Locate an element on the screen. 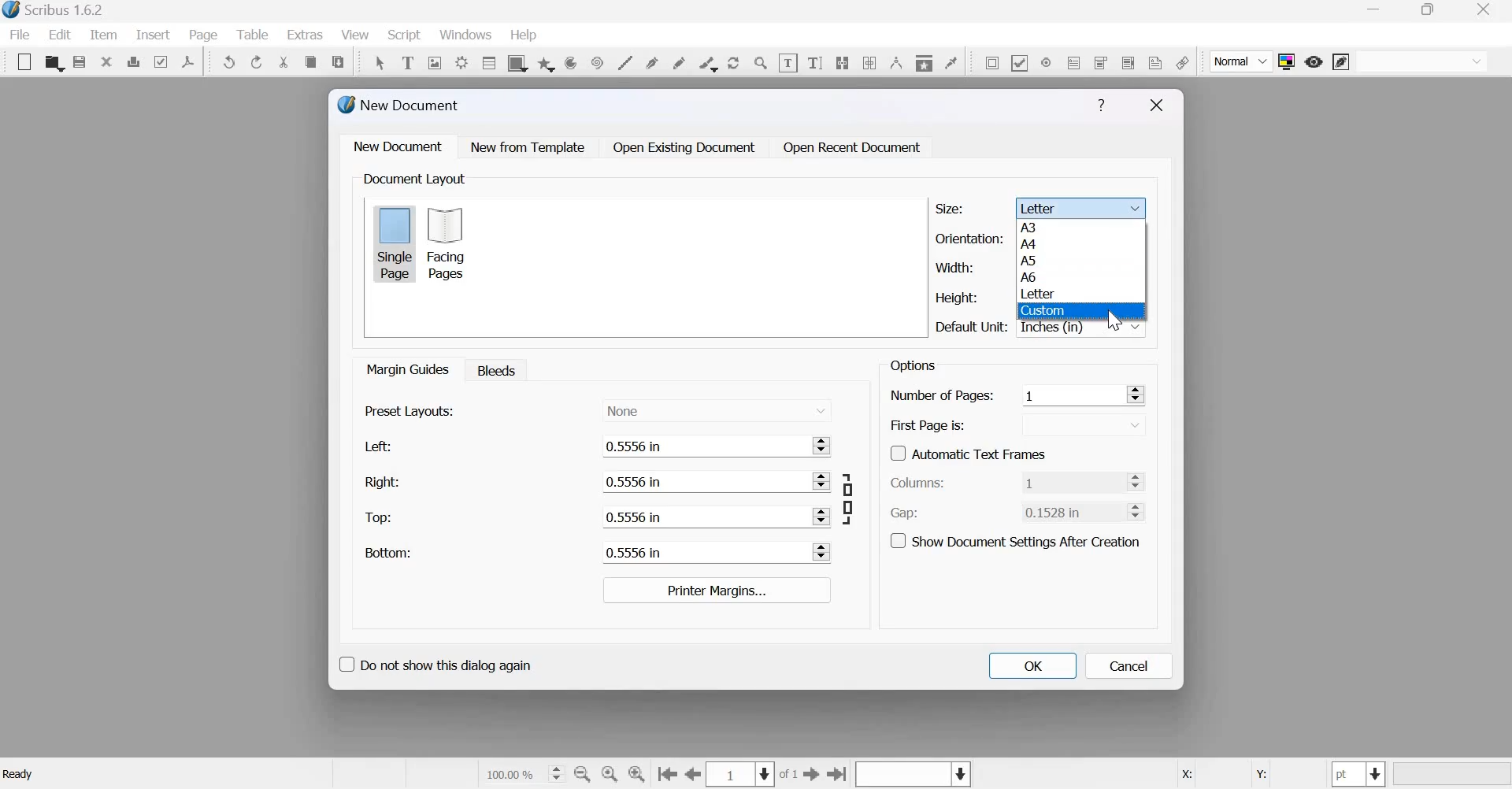 The width and height of the screenshot is (1512, 789). cancel is located at coordinates (1127, 665).